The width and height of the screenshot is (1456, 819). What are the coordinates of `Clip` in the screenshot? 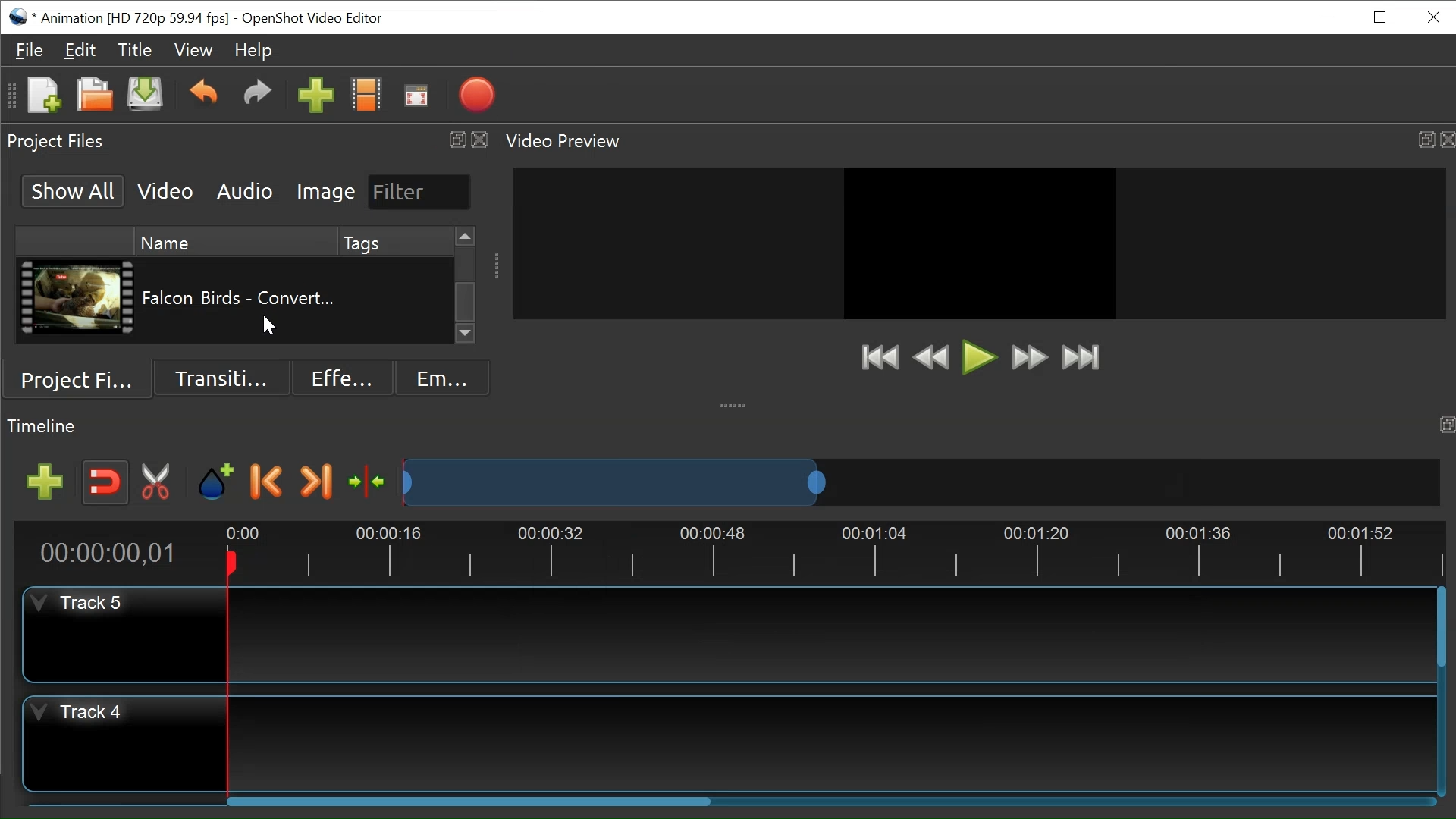 It's located at (79, 300).